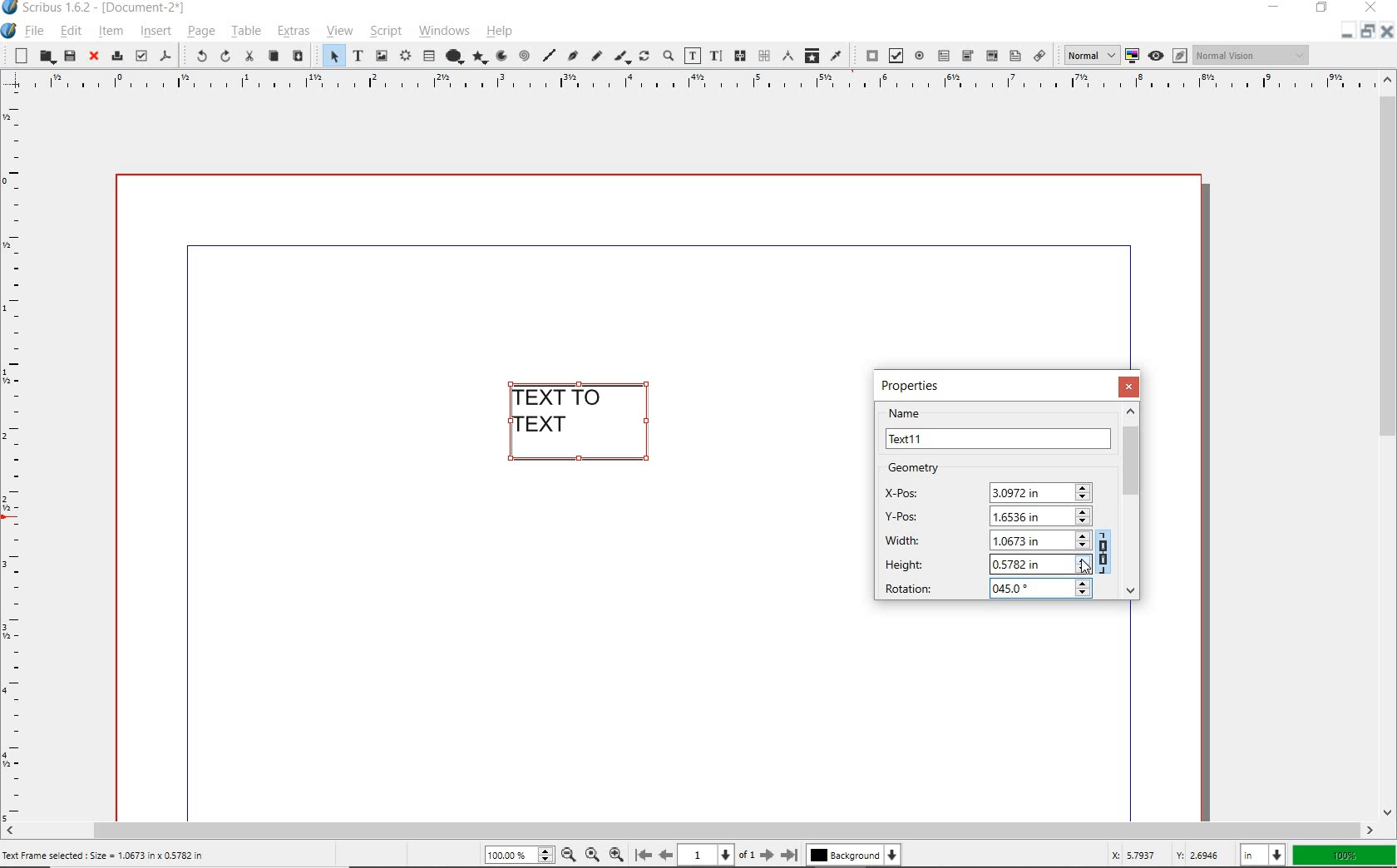 The height and width of the screenshot is (868, 1397). Describe the element at coordinates (988, 490) in the screenshot. I see `X-POS` at that location.